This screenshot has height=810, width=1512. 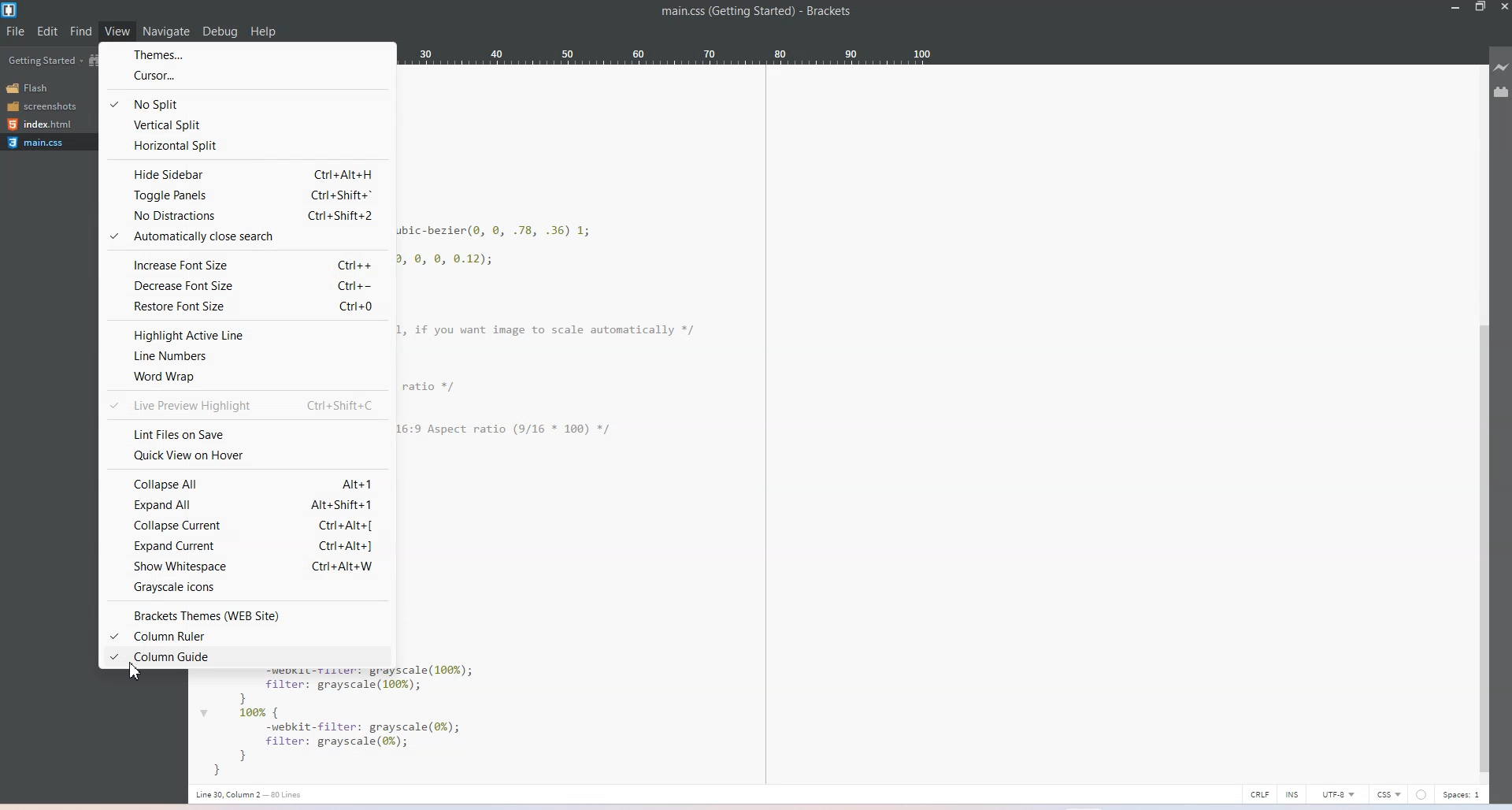 I want to click on Debug, so click(x=220, y=32).